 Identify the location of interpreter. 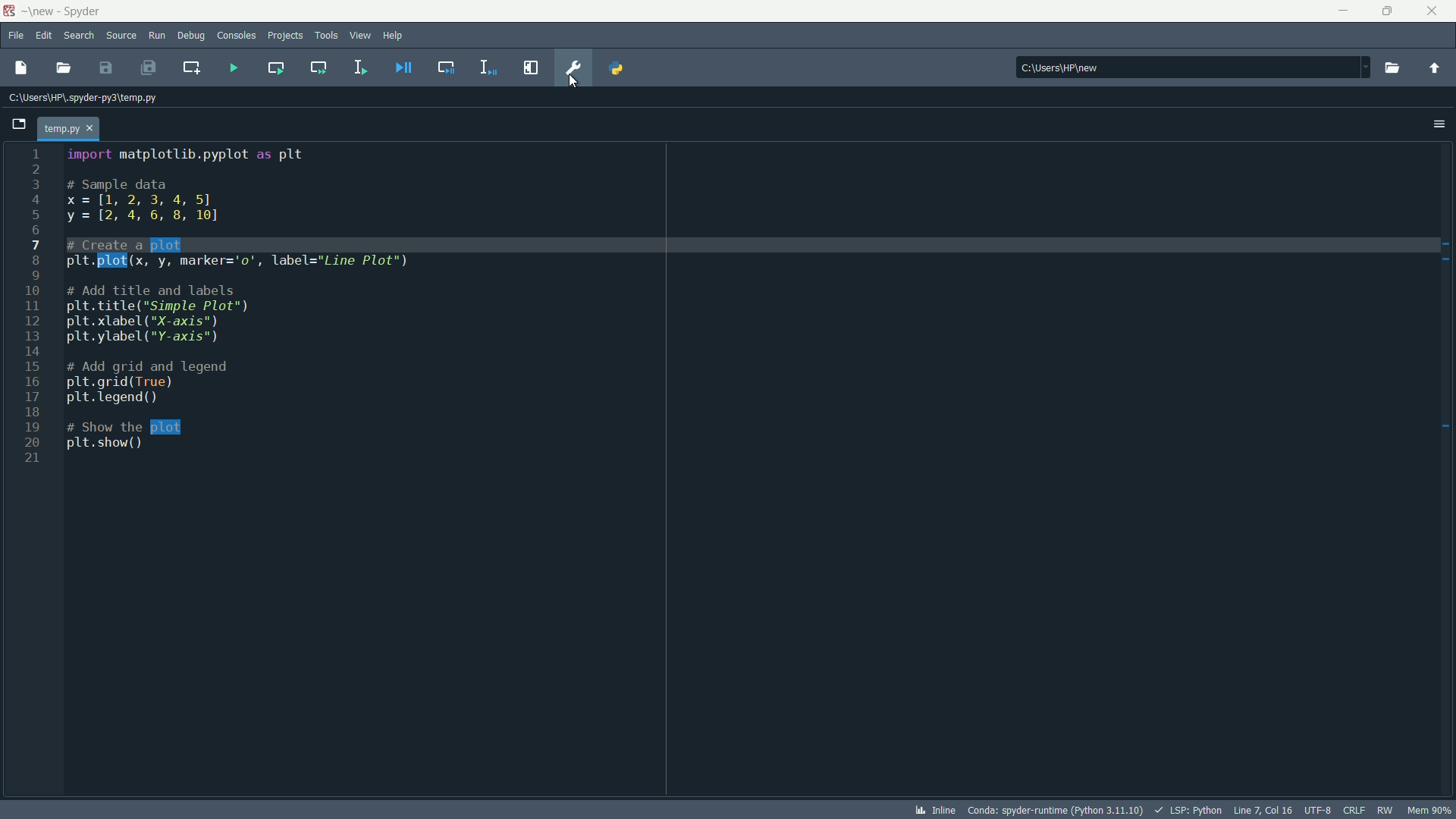
(1055, 809).